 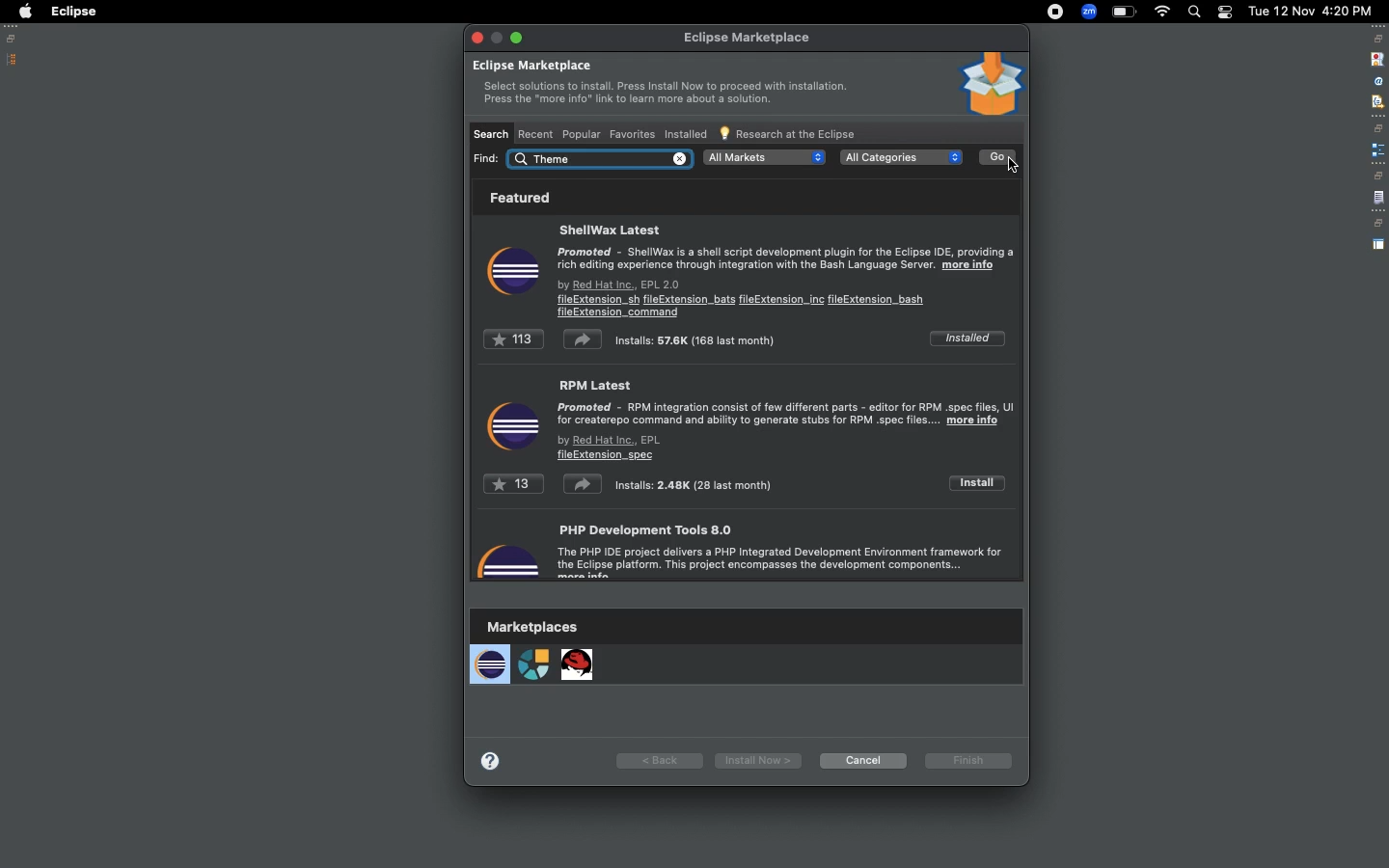 What do you see at coordinates (1162, 14) in the screenshot?
I see `Internet` at bounding box center [1162, 14].